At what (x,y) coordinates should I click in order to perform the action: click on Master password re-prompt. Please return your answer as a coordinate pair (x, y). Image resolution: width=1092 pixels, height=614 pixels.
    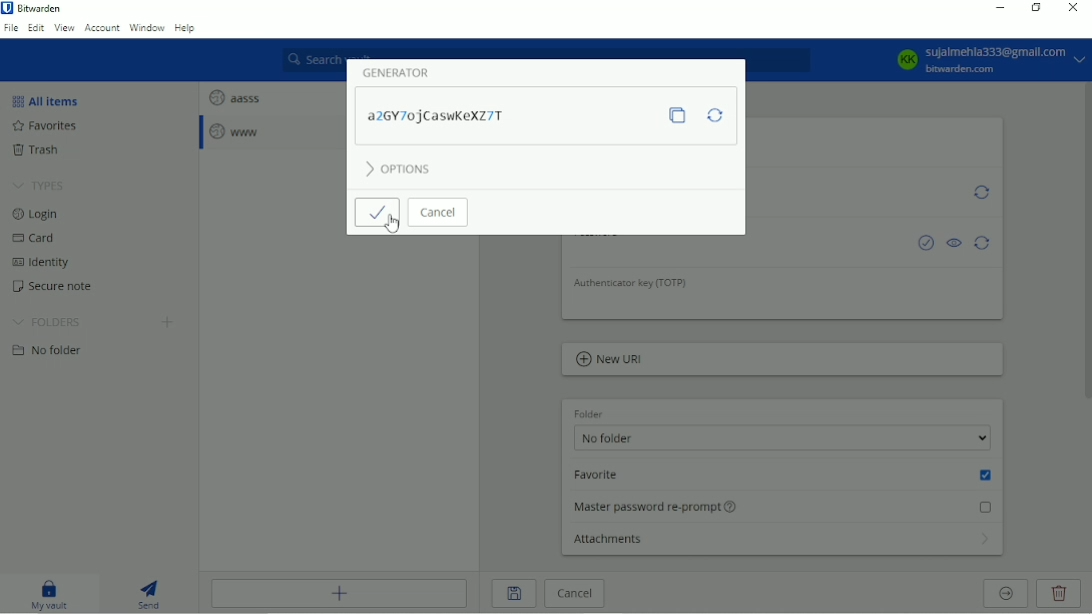
    Looking at the image, I should click on (786, 505).